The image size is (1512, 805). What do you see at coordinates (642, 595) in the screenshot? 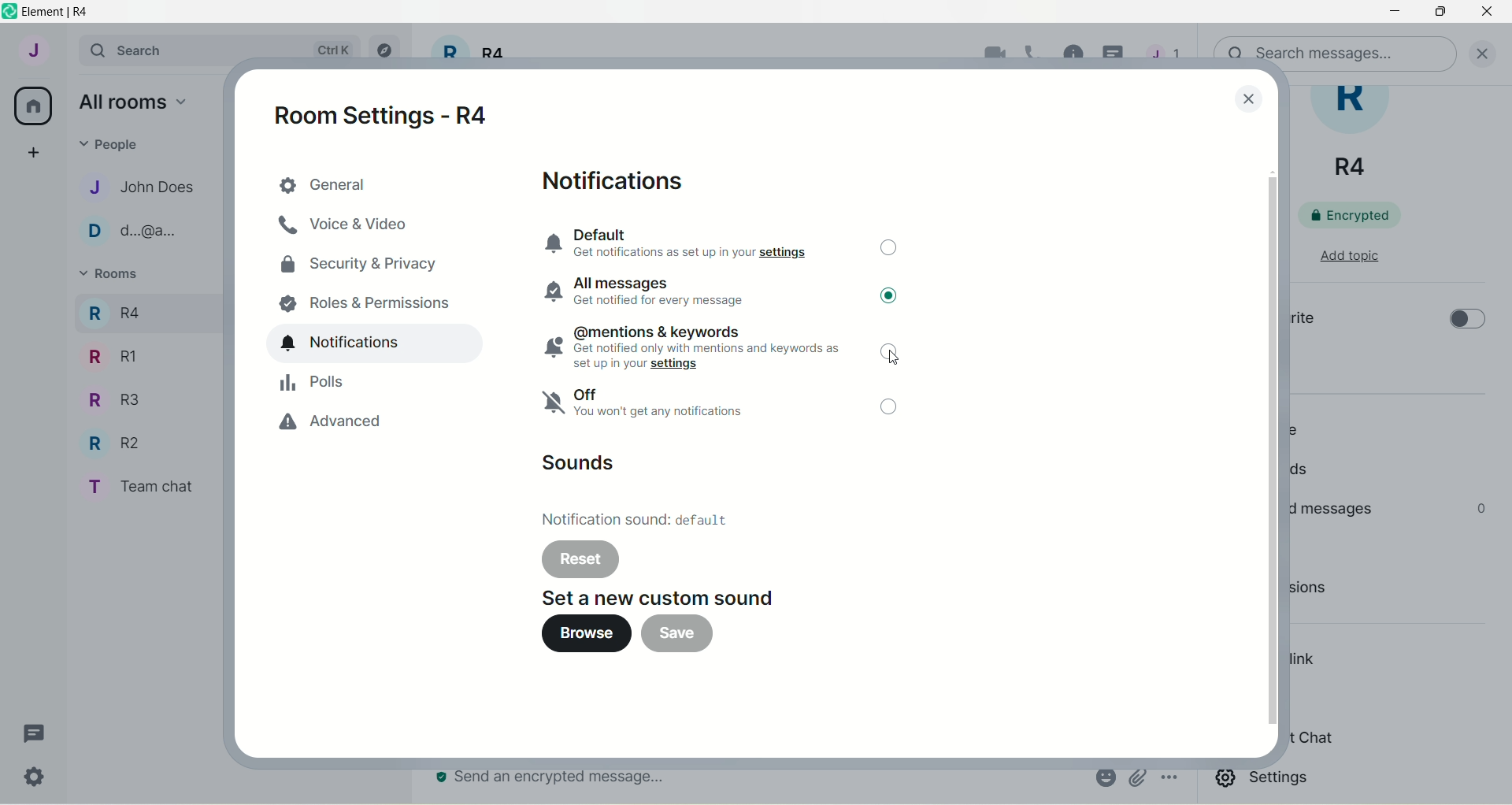
I see `set a new custom sound` at bounding box center [642, 595].